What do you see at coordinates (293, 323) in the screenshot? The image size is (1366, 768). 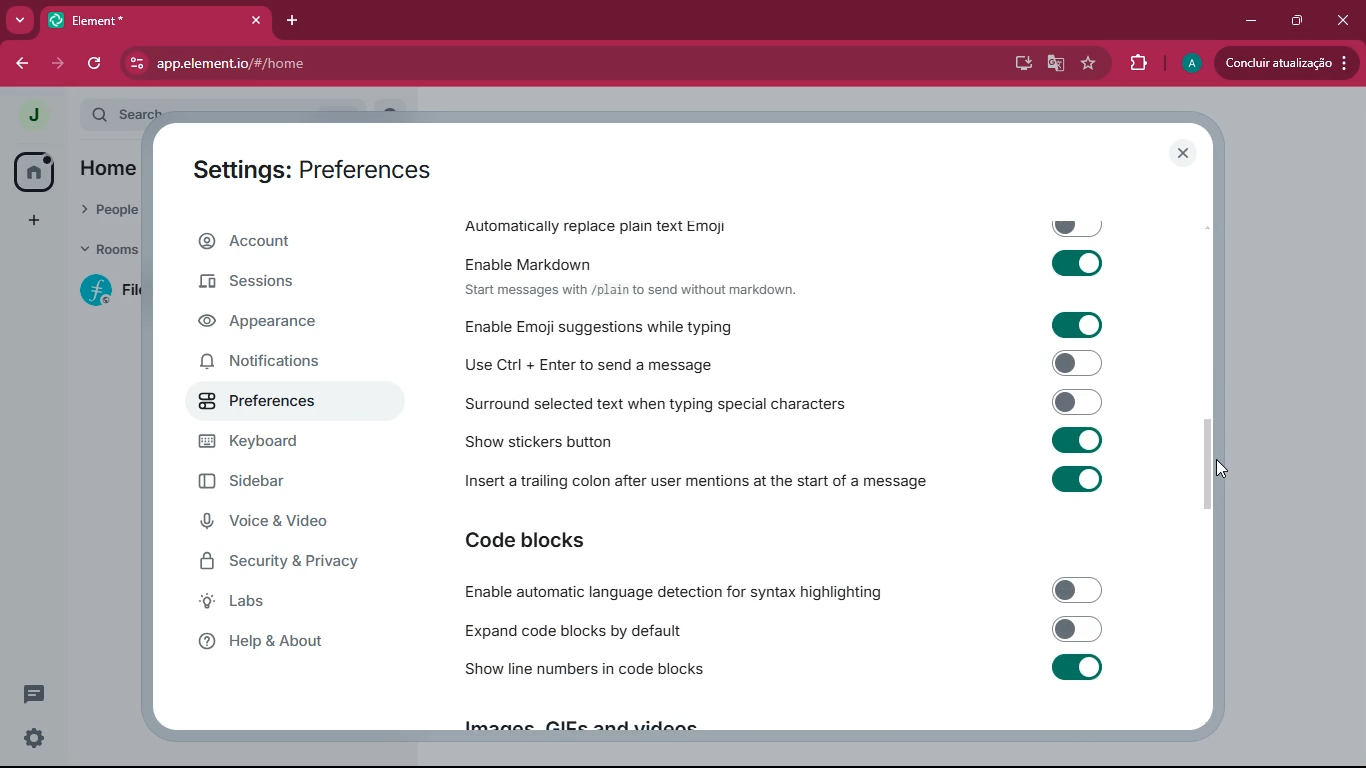 I see `appearance` at bounding box center [293, 323].